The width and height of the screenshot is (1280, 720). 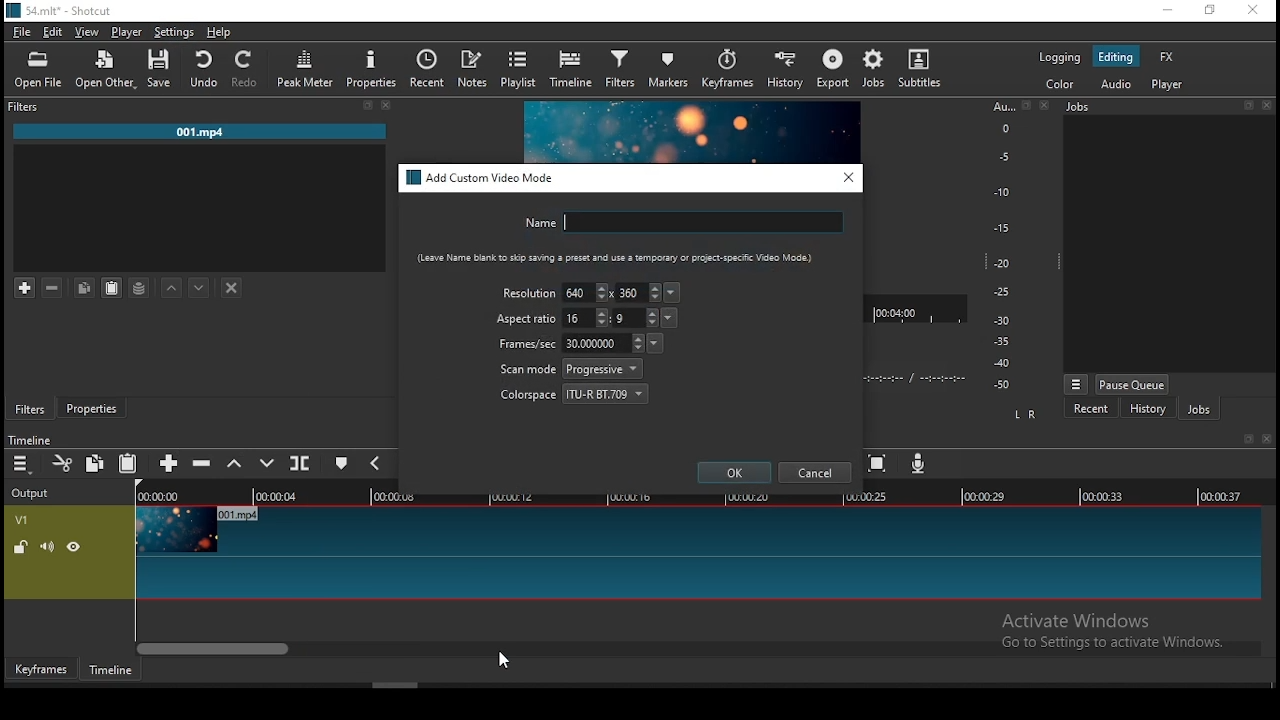 What do you see at coordinates (898, 309) in the screenshot?
I see `00:04:00` at bounding box center [898, 309].